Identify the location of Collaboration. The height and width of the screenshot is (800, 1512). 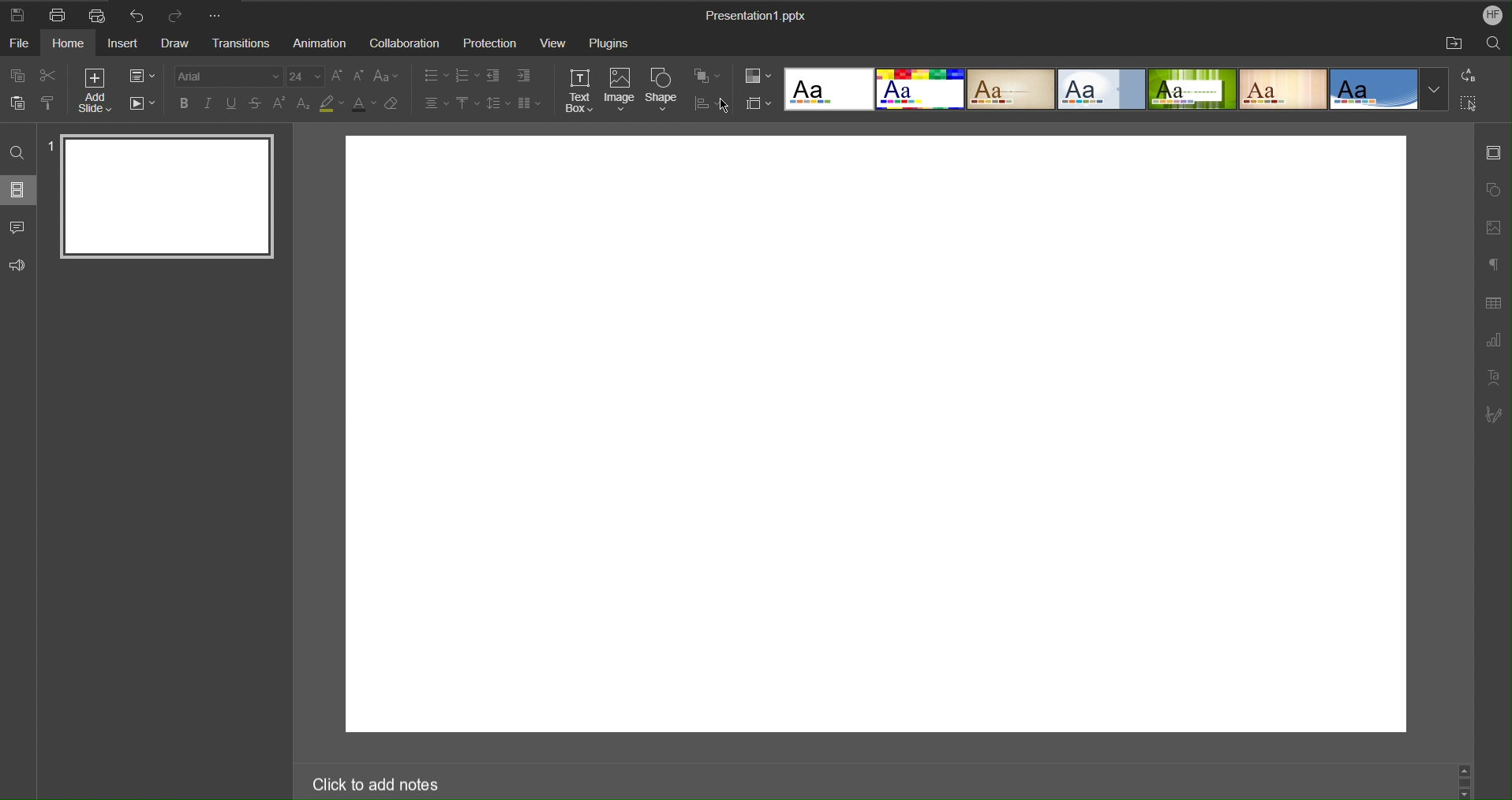
(402, 41).